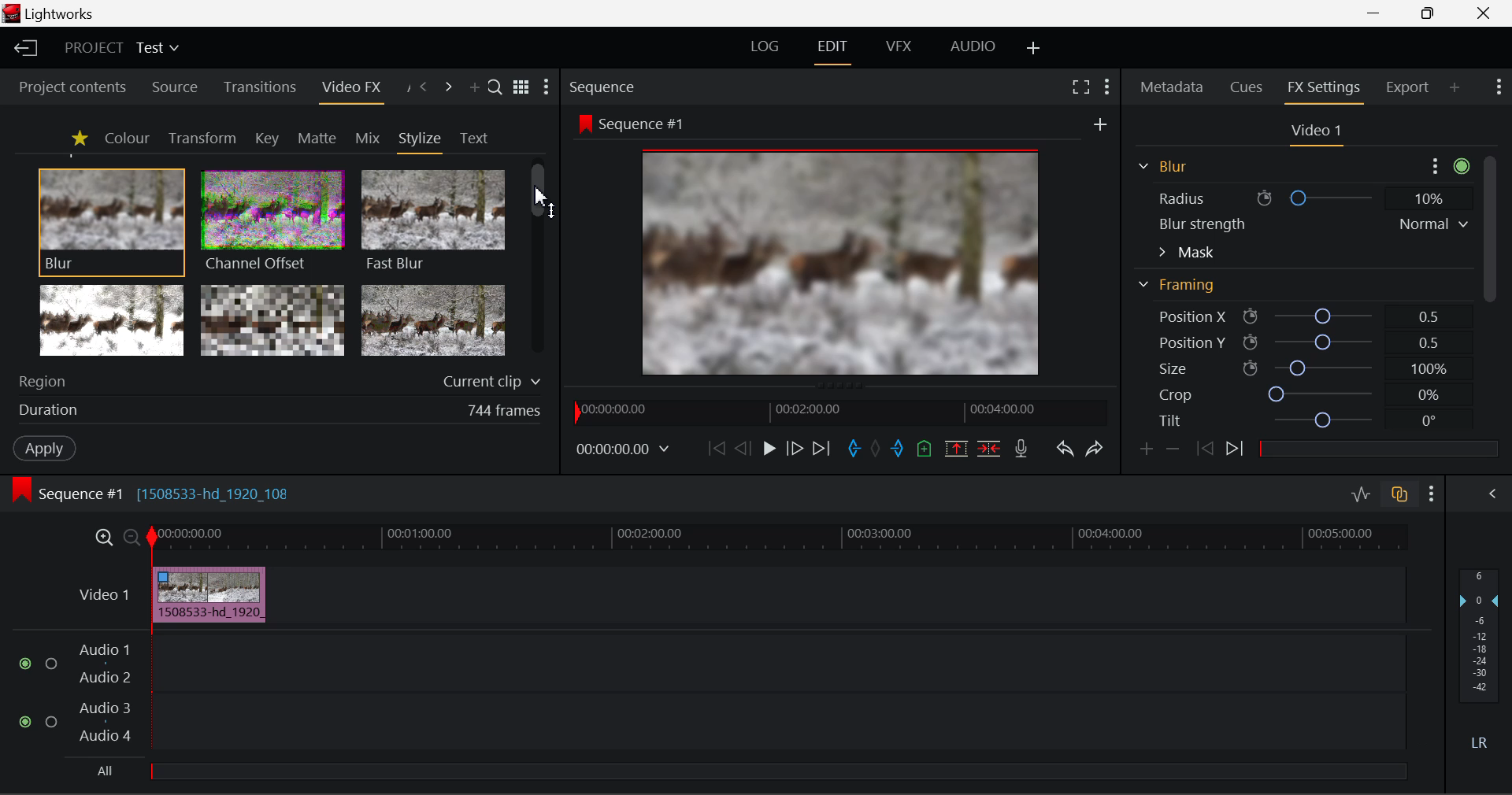 This screenshot has height=795, width=1512. What do you see at coordinates (113, 321) in the screenshot?
I see `Glow` at bounding box center [113, 321].